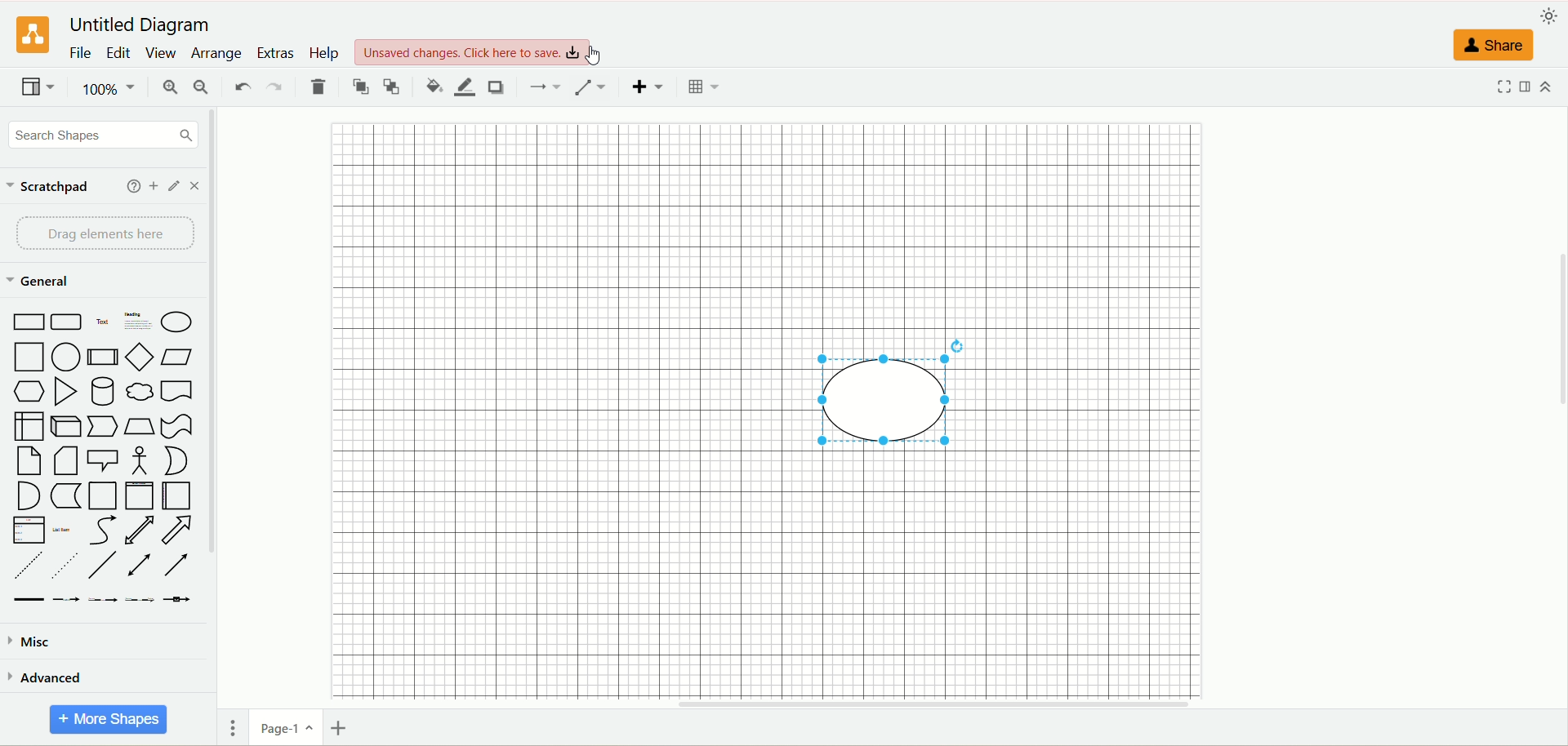 This screenshot has height=746, width=1568. Describe the element at coordinates (243, 85) in the screenshot. I see `undo` at that location.